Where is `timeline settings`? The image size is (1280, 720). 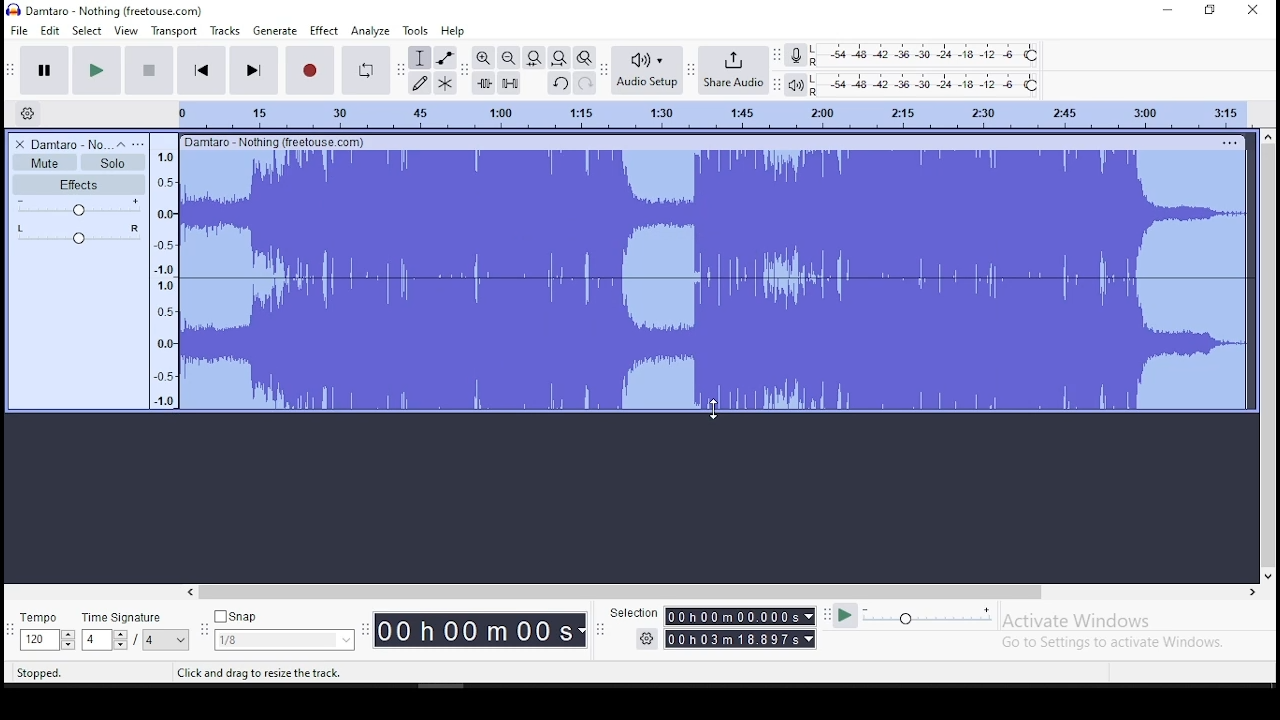 timeline settings is located at coordinates (27, 111).